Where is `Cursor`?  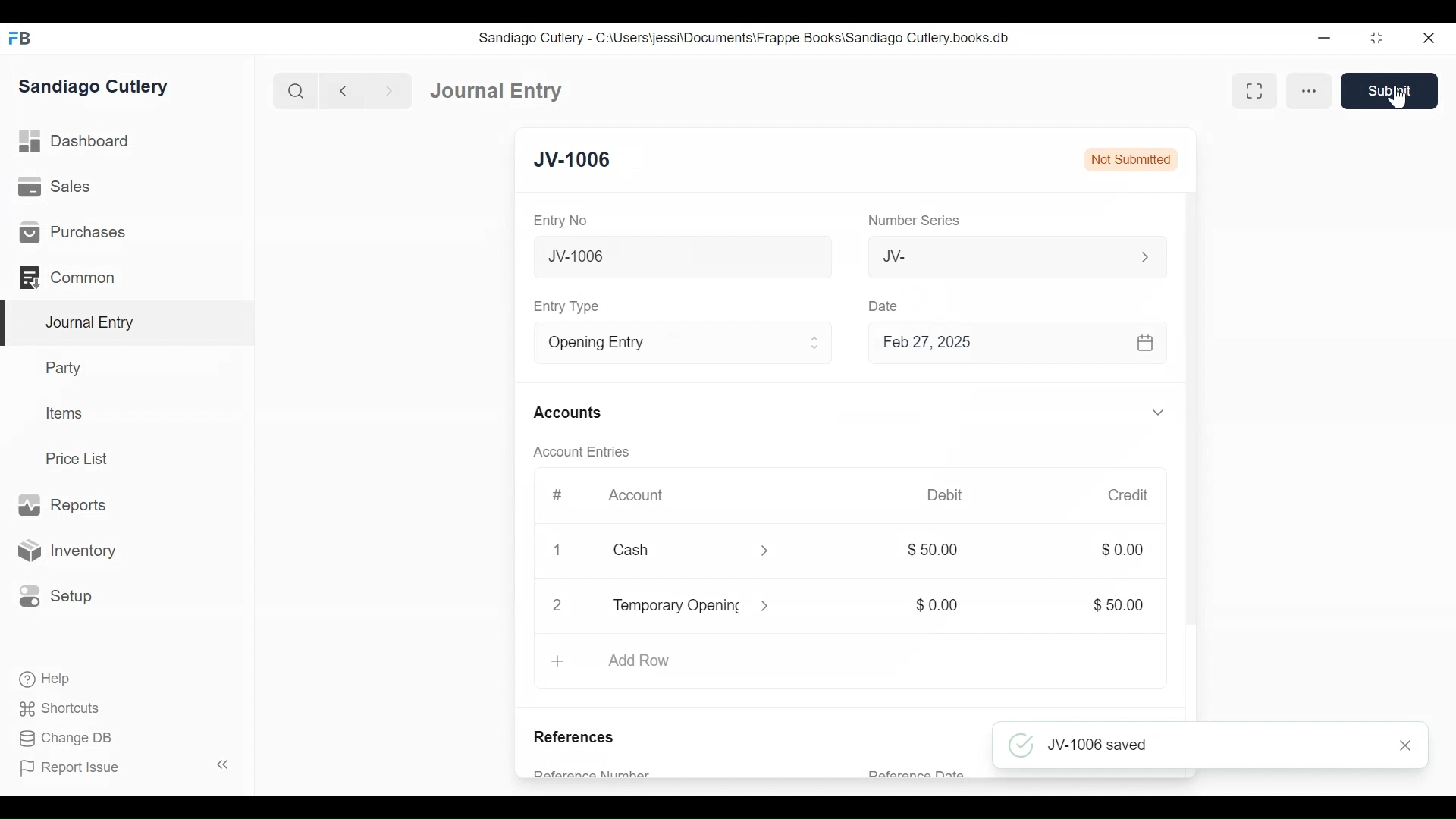 Cursor is located at coordinates (1398, 96).